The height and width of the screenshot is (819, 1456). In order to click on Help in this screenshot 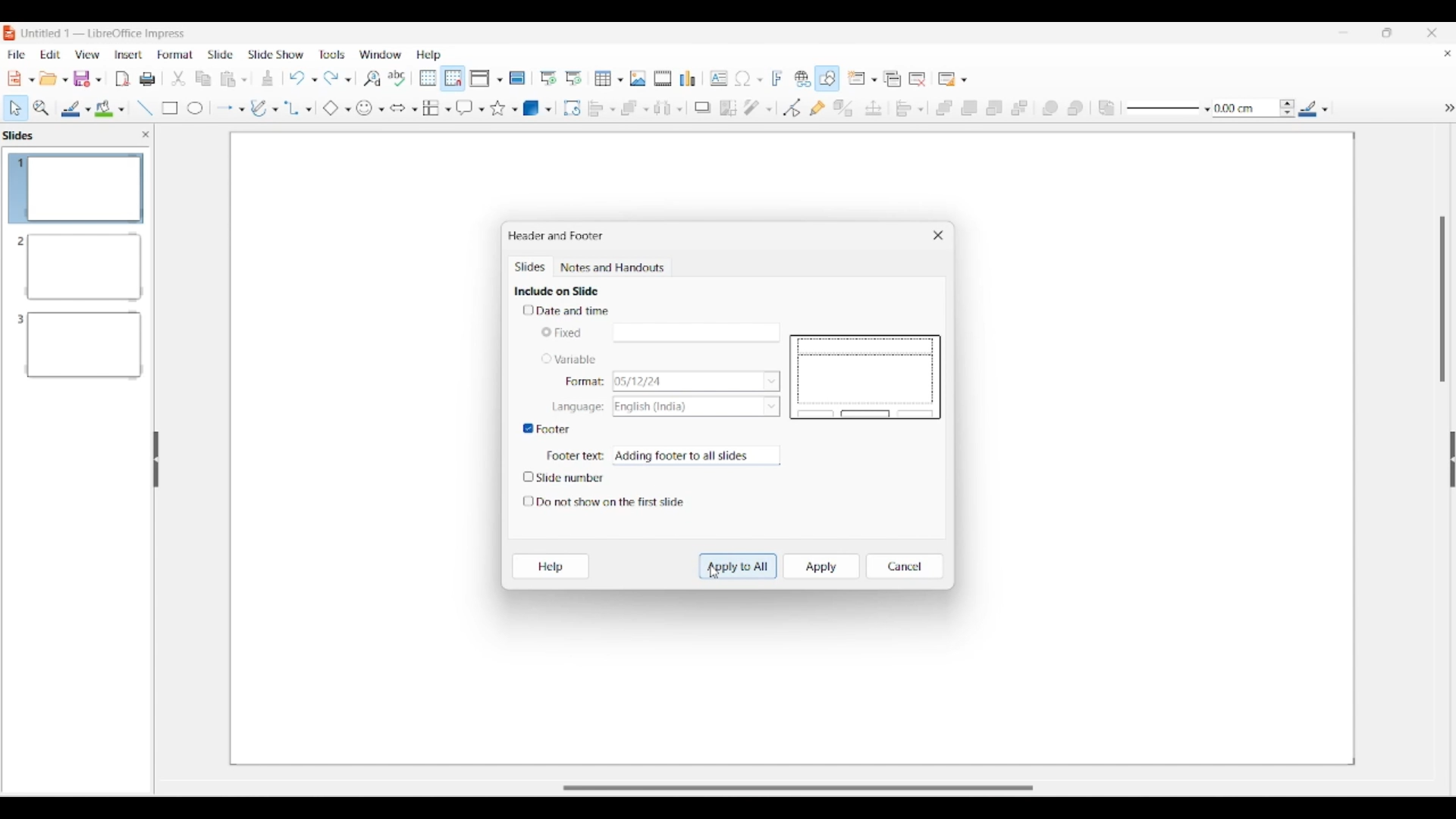, I will do `click(551, 566)`.